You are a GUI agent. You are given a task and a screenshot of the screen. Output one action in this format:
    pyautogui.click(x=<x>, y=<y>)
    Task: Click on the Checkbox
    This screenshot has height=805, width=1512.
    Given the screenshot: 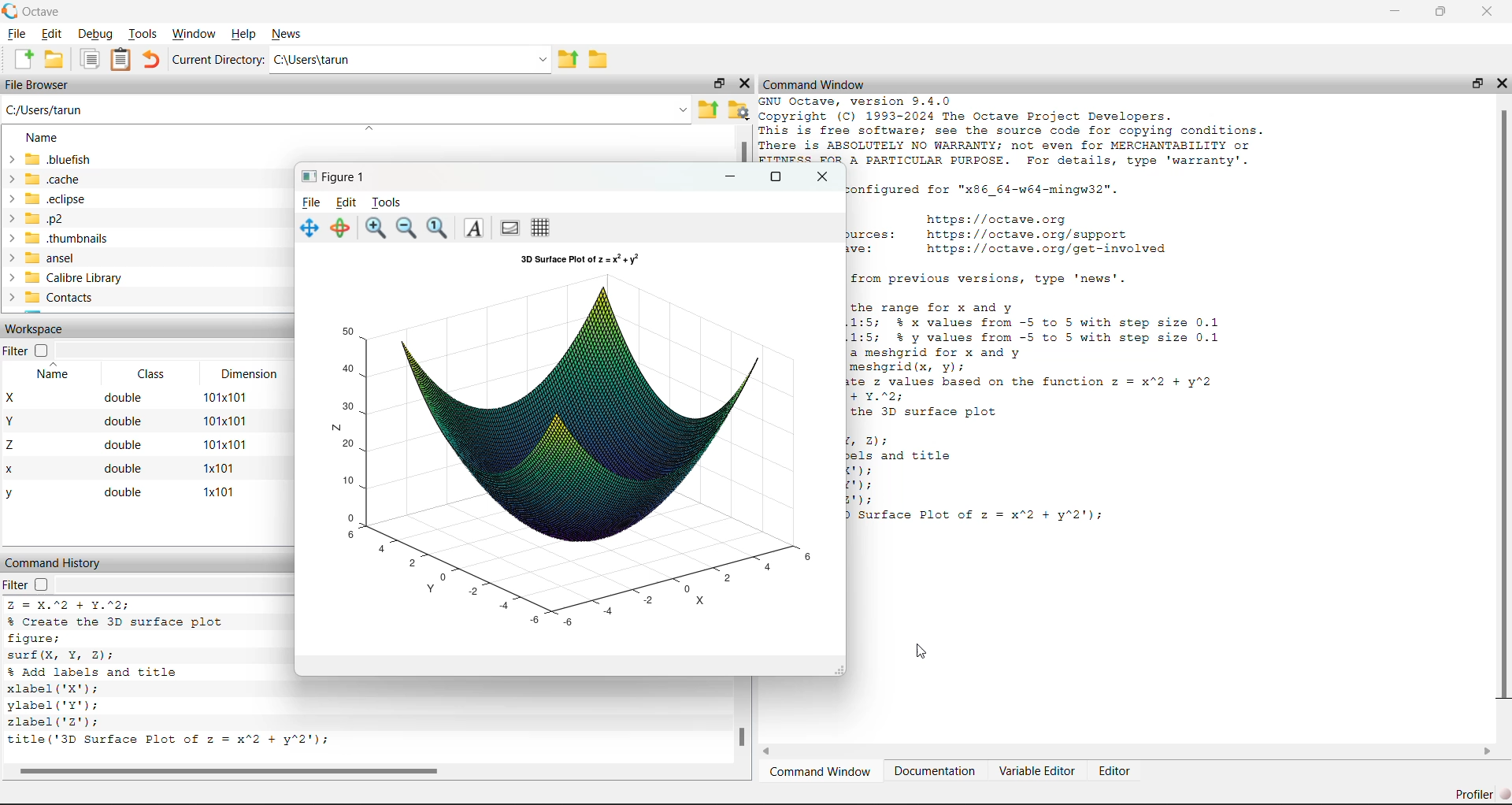 What is the action you would take?
    pyautogui.click(x=42, y=348)
    